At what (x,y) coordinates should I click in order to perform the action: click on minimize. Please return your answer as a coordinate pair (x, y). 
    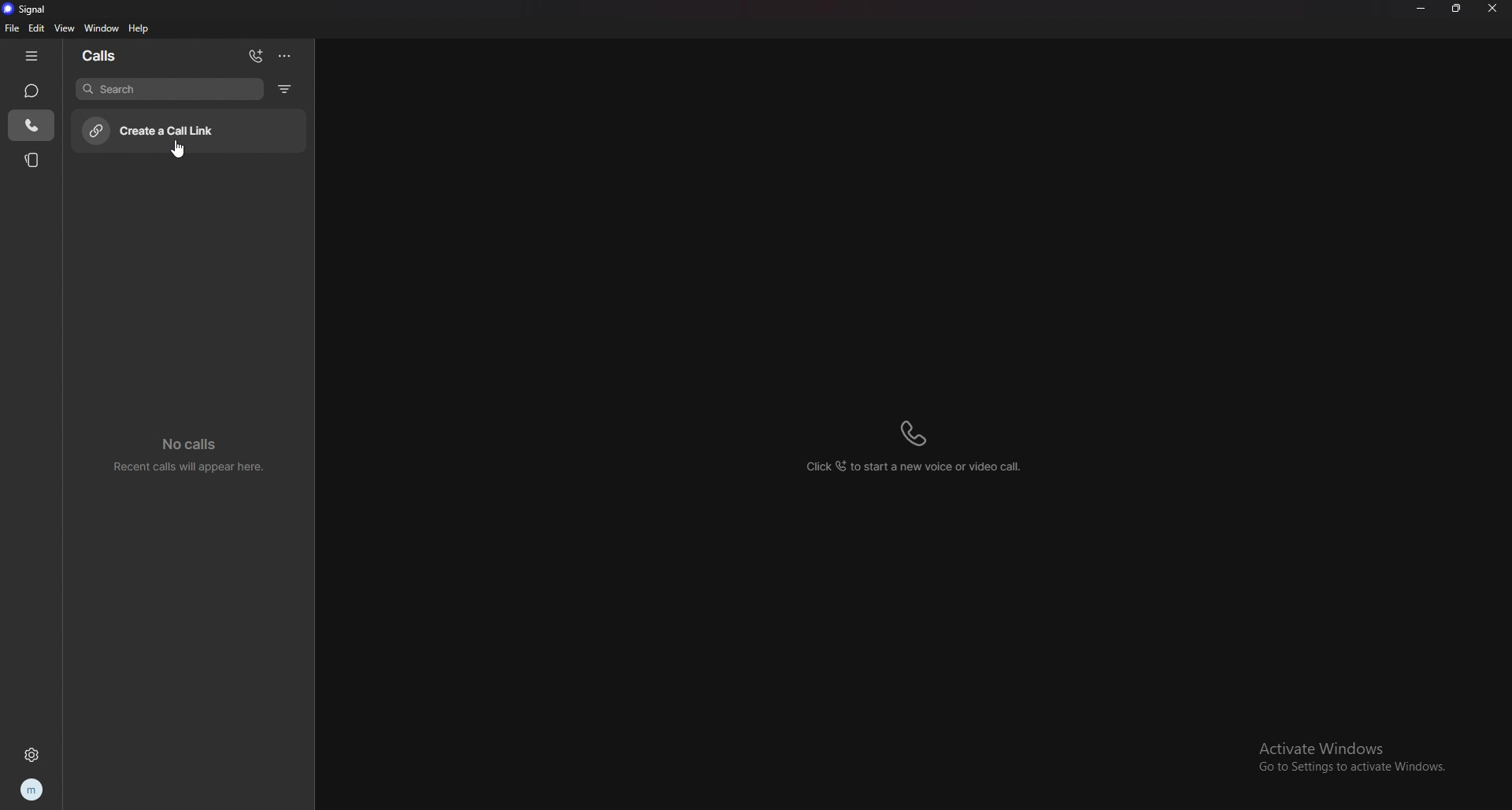
    Looking at the image, I should click on (1420, 9).